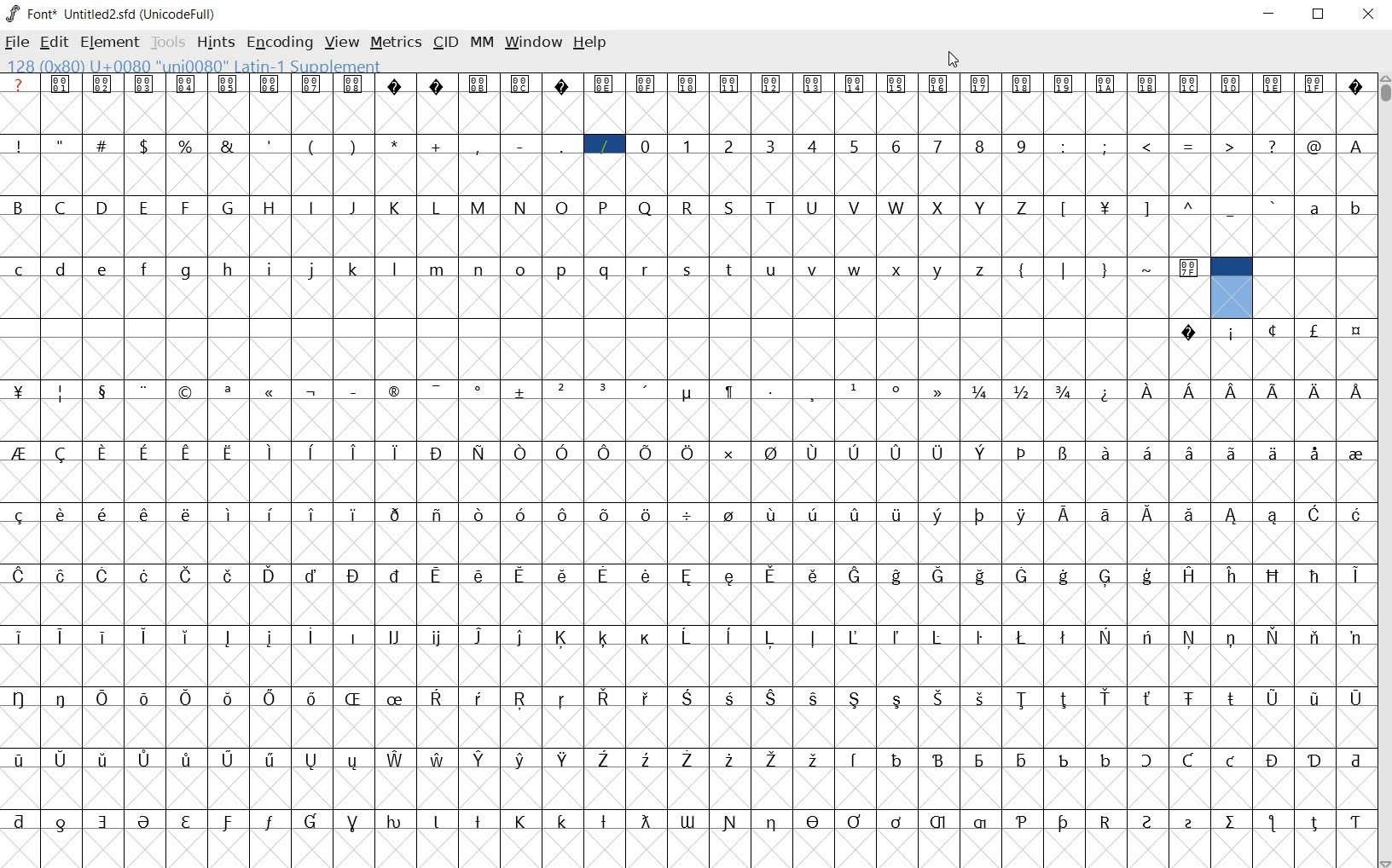 This screenshot has width=1392, height=868. What do you see at coordinates (438, 454) in the screenshot?
I see `Symbol` at bounding box center [438, 454].